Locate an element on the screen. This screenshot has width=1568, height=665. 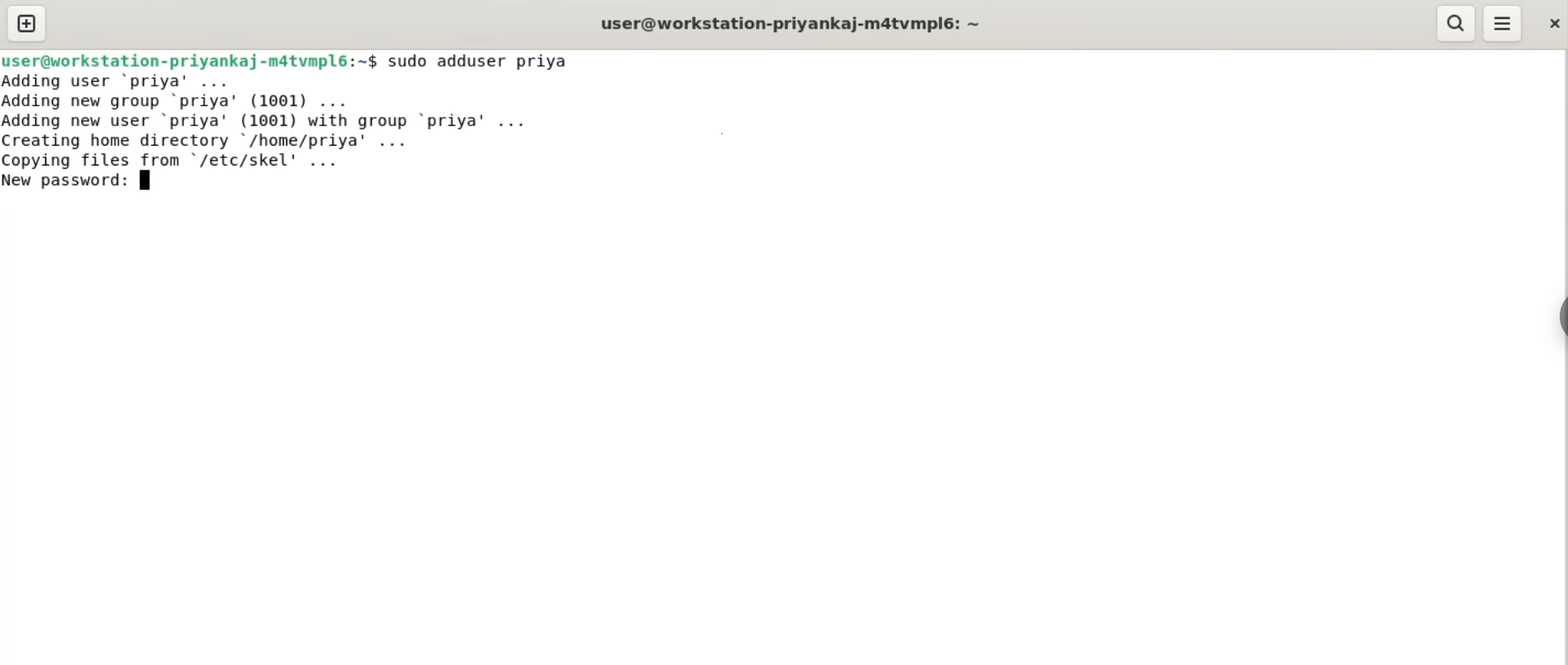
menu is located at coordinates (1504, 24).